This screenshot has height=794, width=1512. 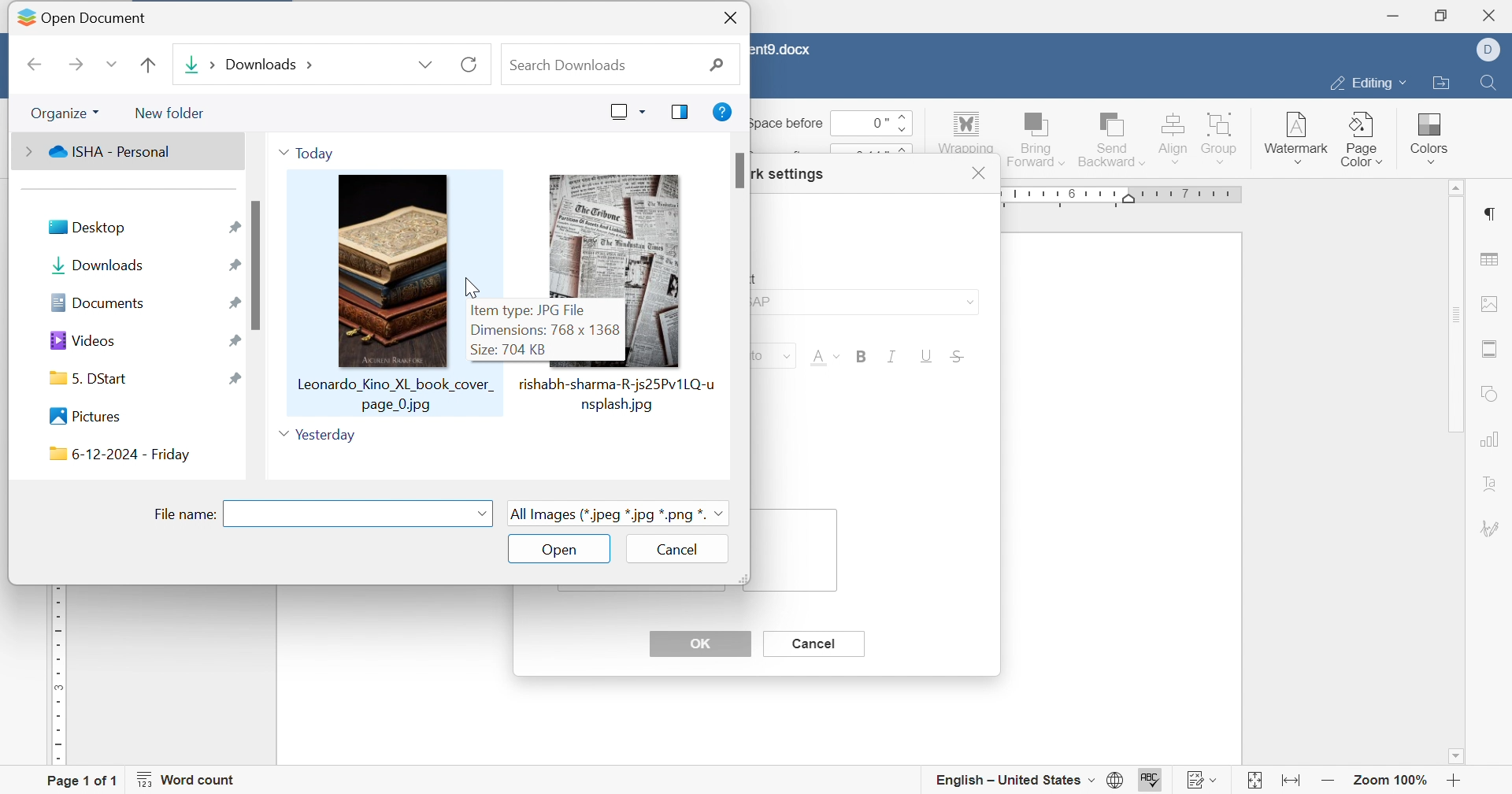 What do you see at coordinates (98, 151) in the screenshot?
I see `ISHA - personal` at bounding box center [98, 151].